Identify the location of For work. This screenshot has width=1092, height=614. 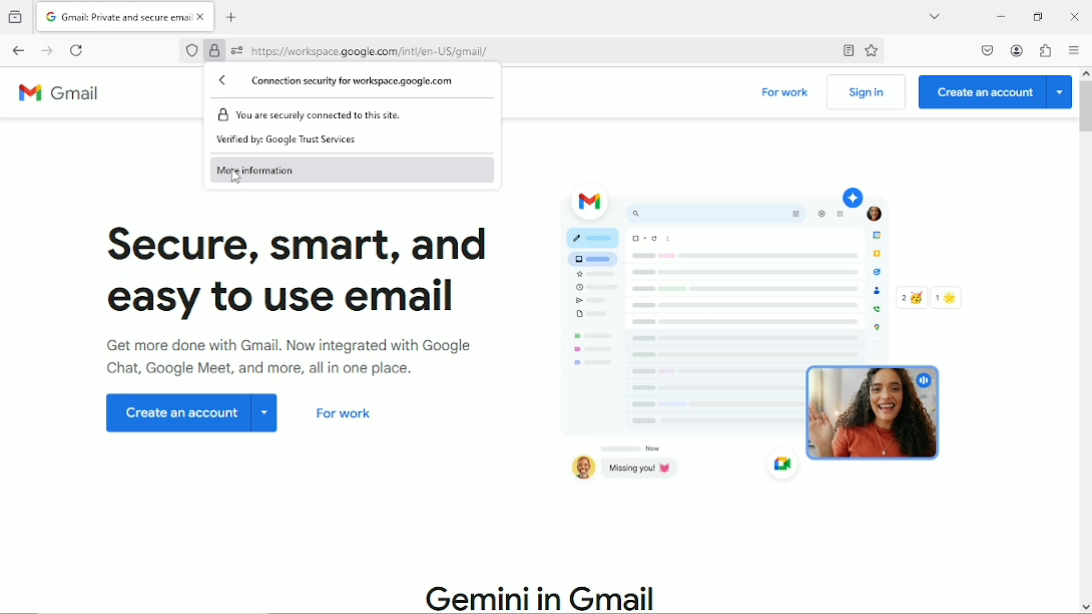
(785, 94).